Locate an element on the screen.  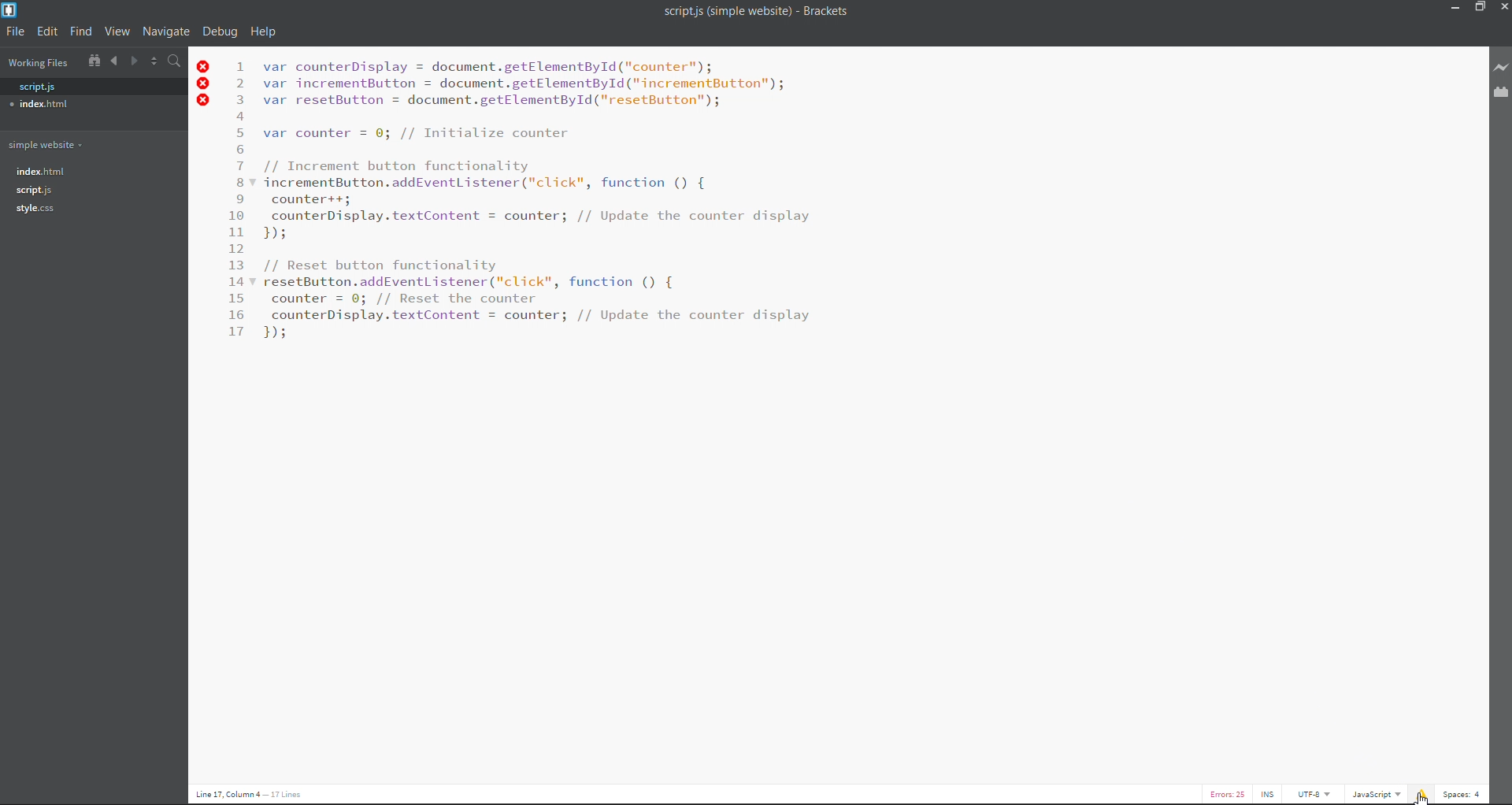
navigate backward is located at coordinates (113, 61).